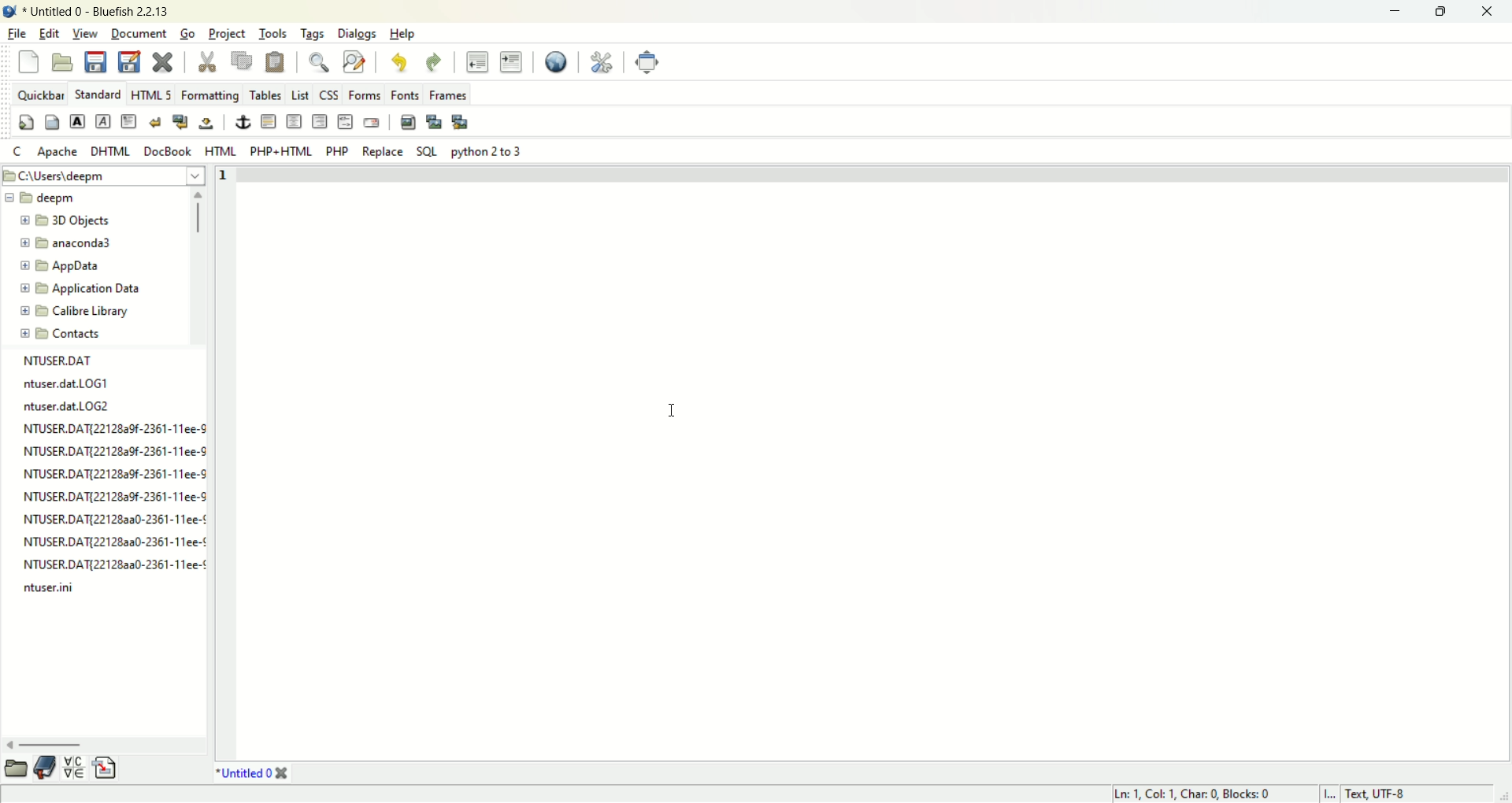  I want to click on close, so click(1484, 11).